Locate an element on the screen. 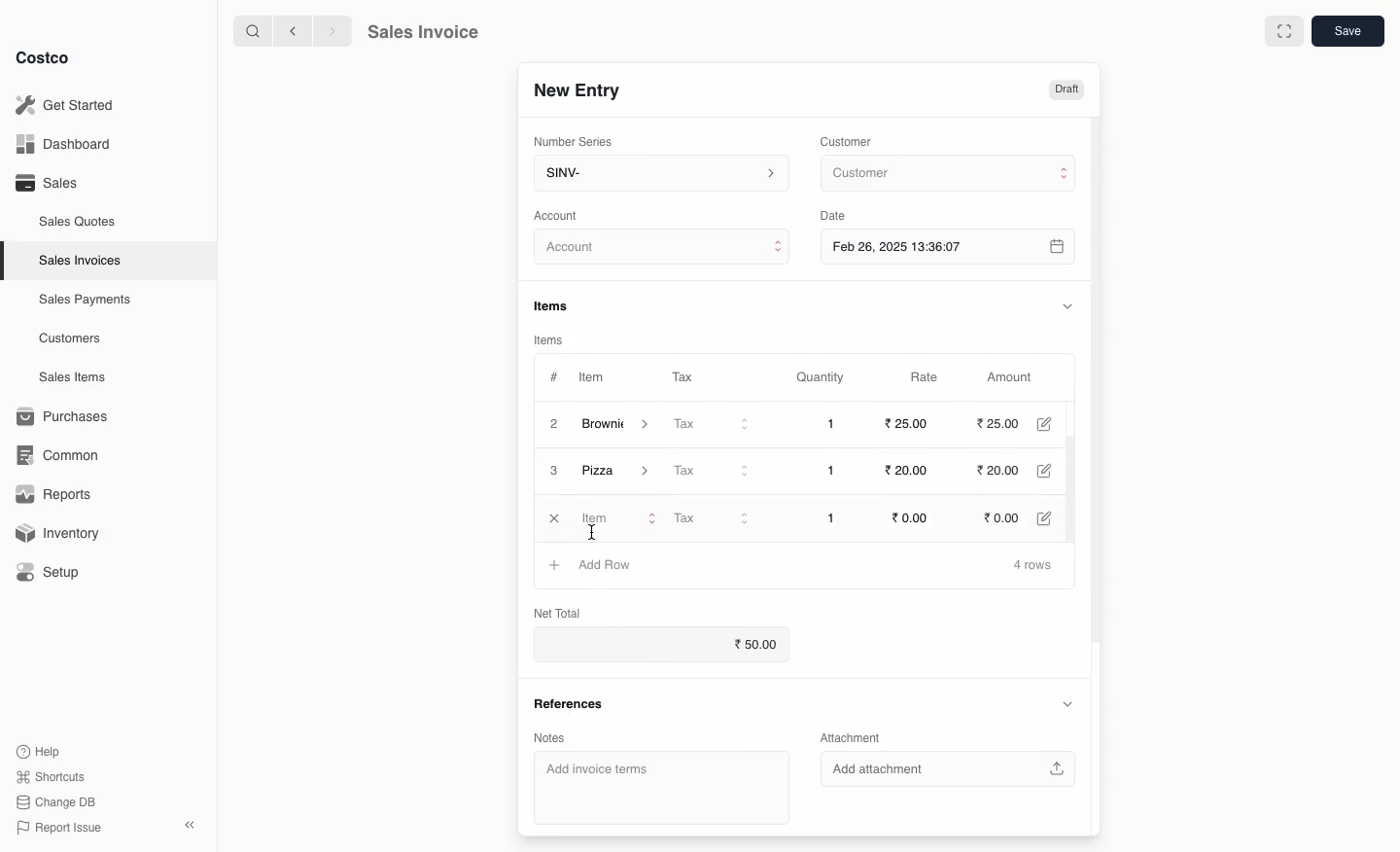  Draft is located at coordinates (1067, 90).